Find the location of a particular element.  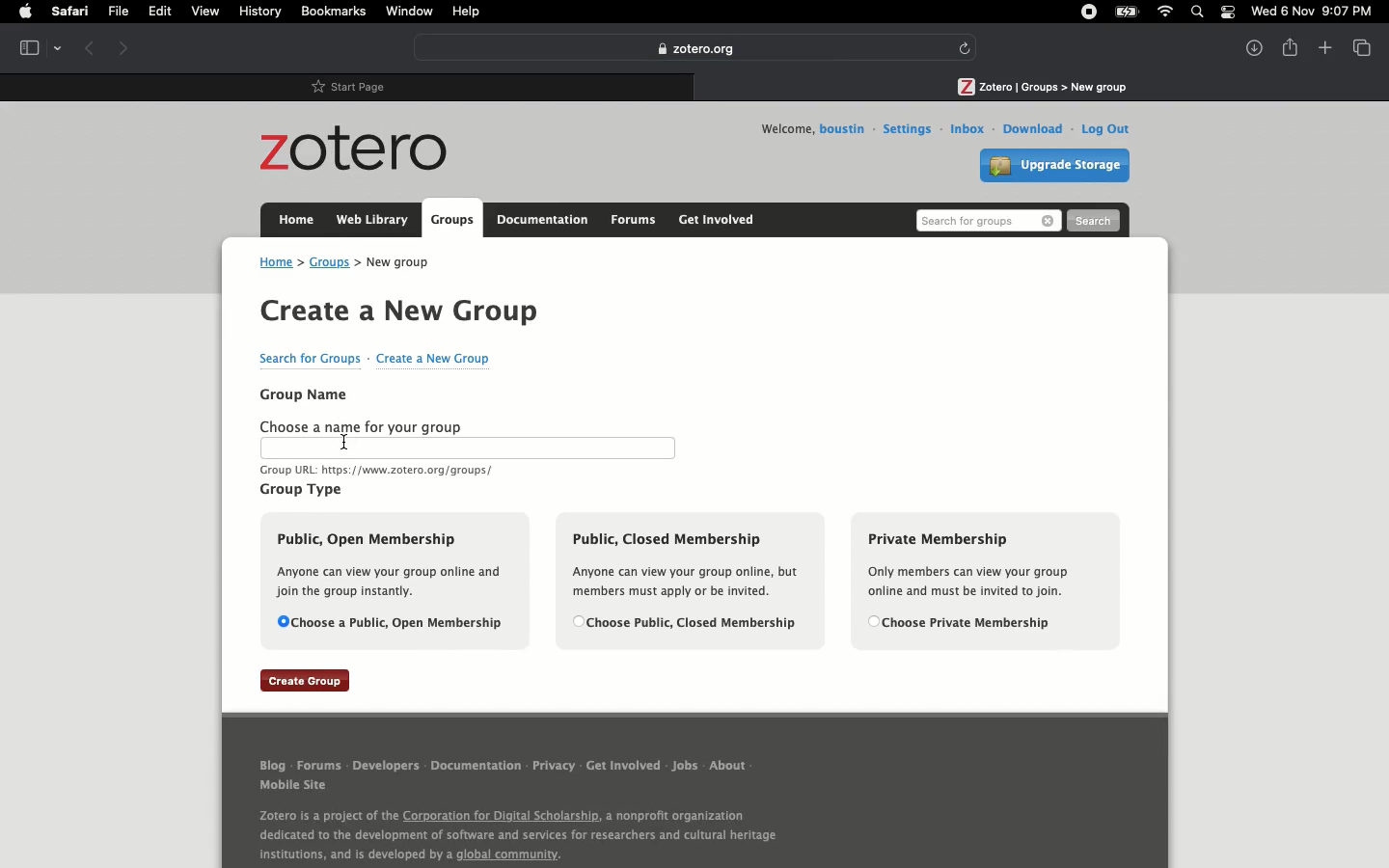

About Zotero is located at coordinates (512, 834).